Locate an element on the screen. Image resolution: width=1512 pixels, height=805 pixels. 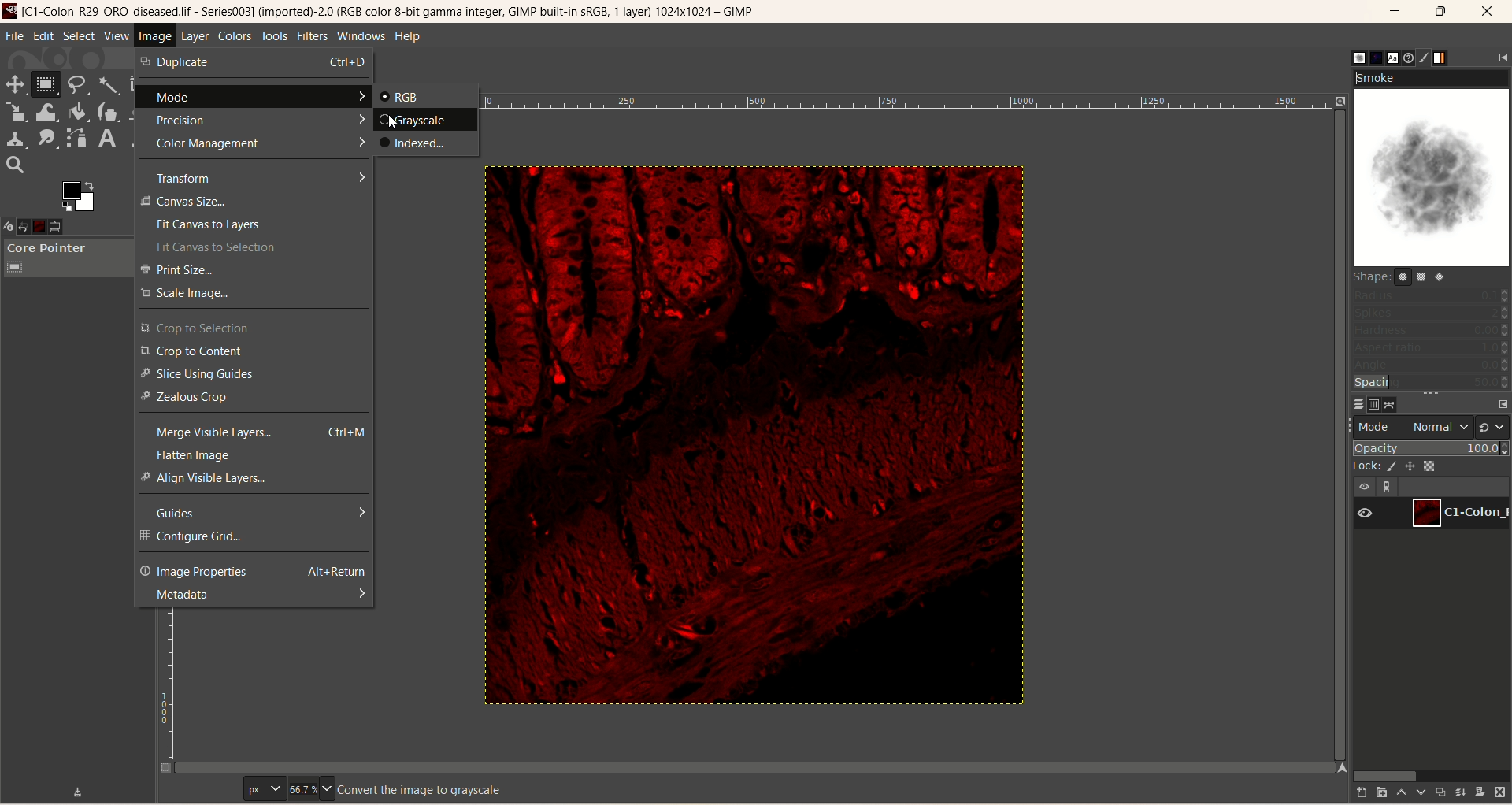
radius is located at coordinates (1429, 298).